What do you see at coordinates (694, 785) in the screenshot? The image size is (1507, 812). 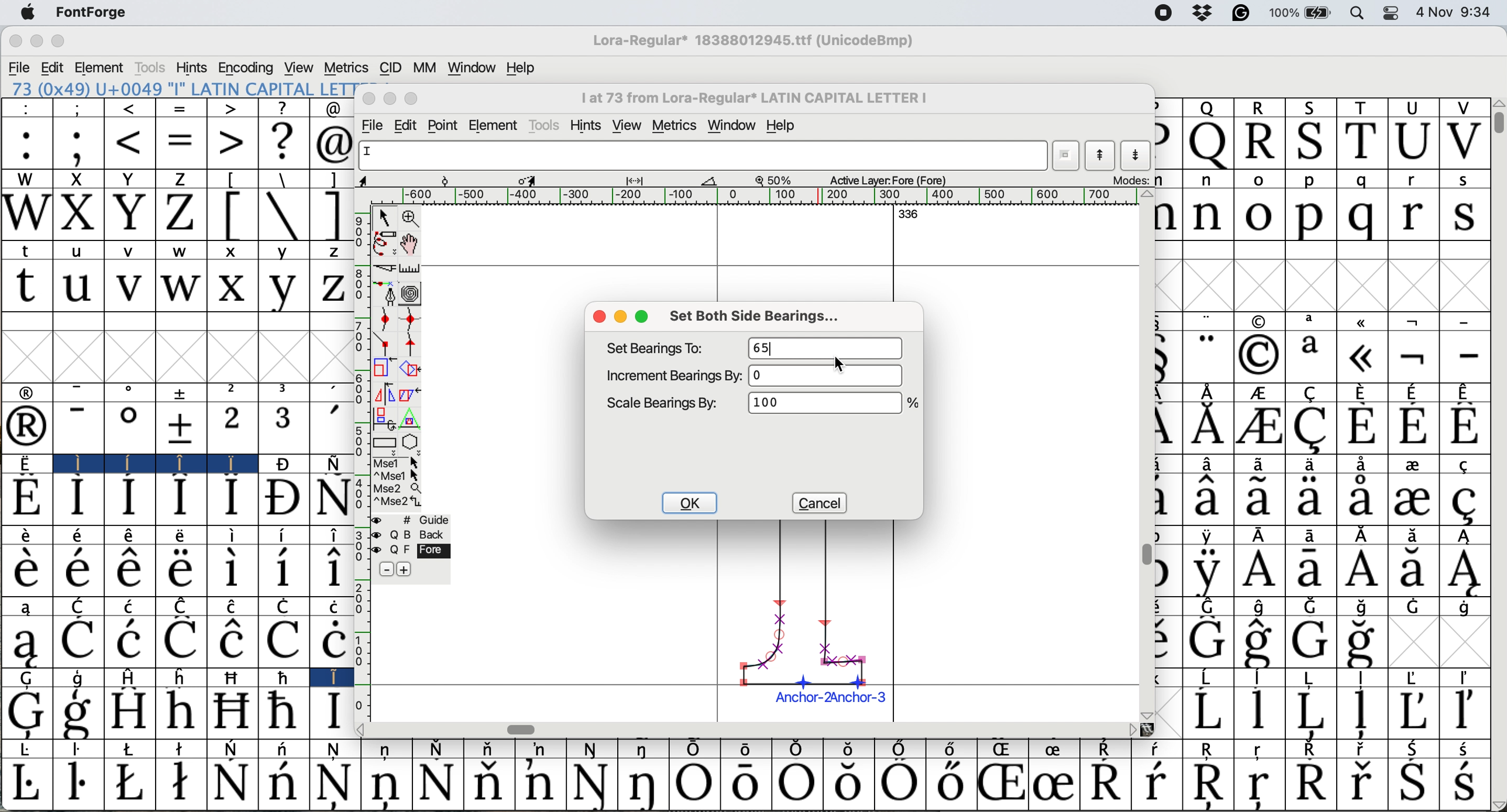 I see `Symbol` at bounding box center [694, 785].